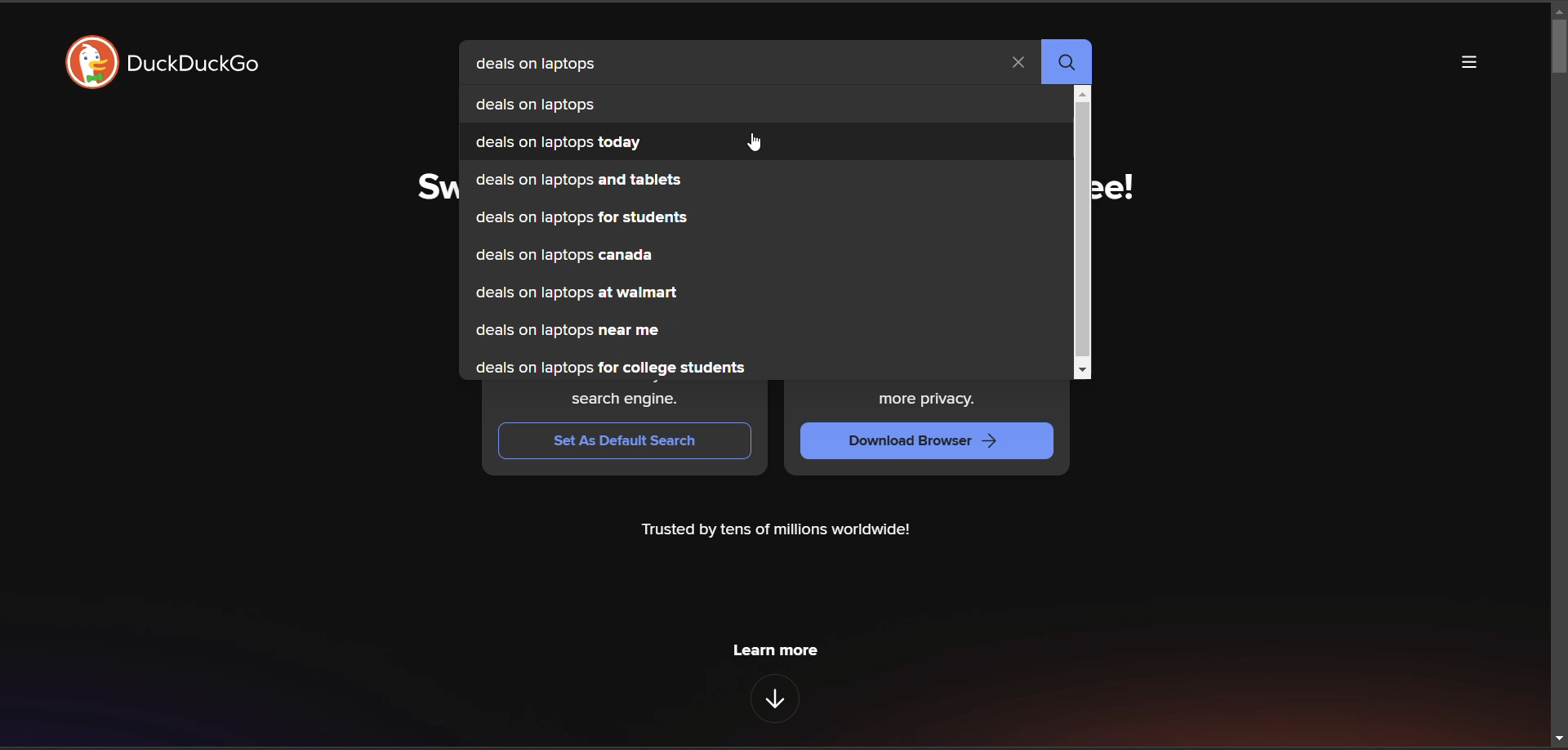  What do you see at coordinates (584, 220) in the screenshot?
I see `deals on laptops for students` at bounding box center [584, 220].